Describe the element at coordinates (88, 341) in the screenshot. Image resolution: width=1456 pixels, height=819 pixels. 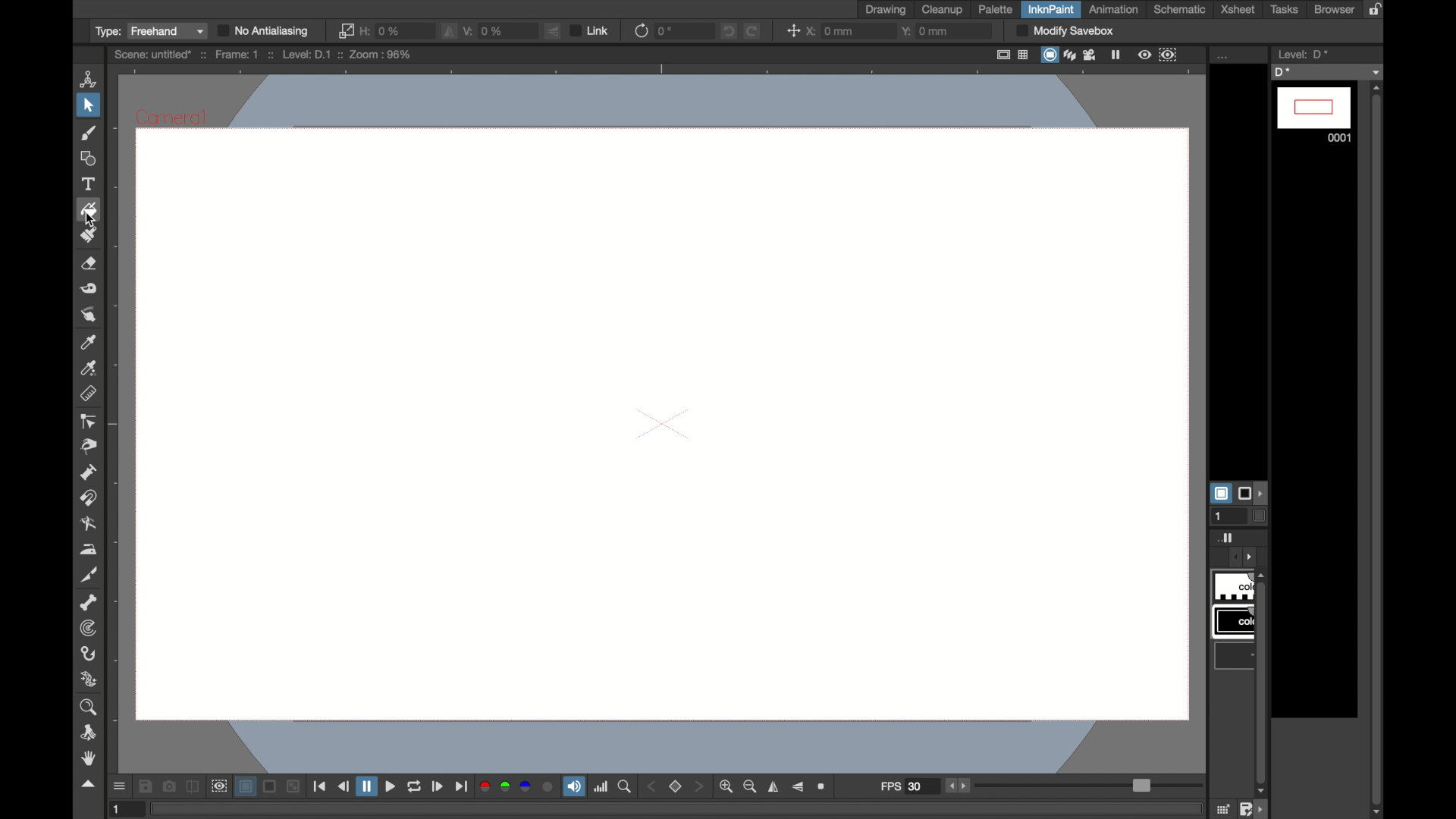
I see `color picker tool` at that location.